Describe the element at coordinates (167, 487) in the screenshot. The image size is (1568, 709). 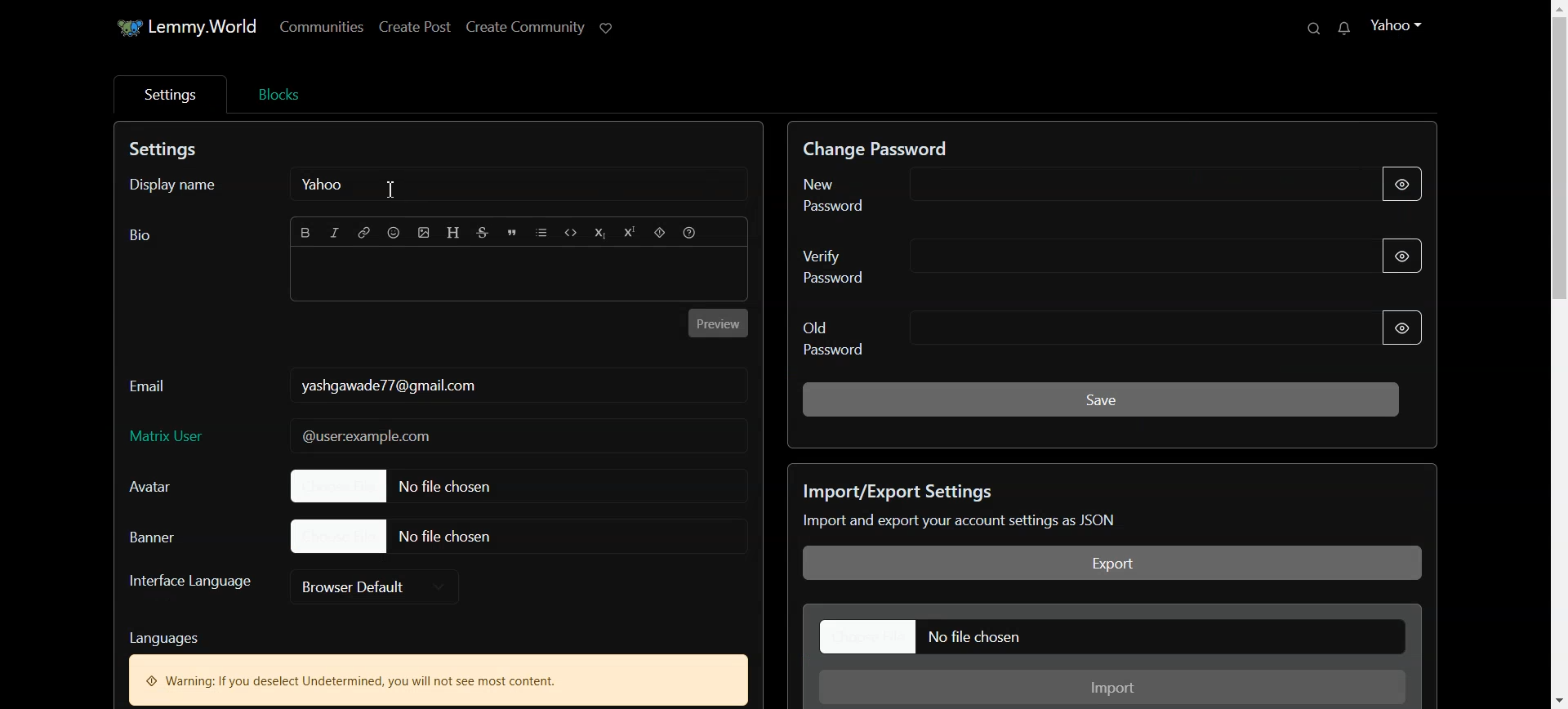
I see `Avatar` at that location.